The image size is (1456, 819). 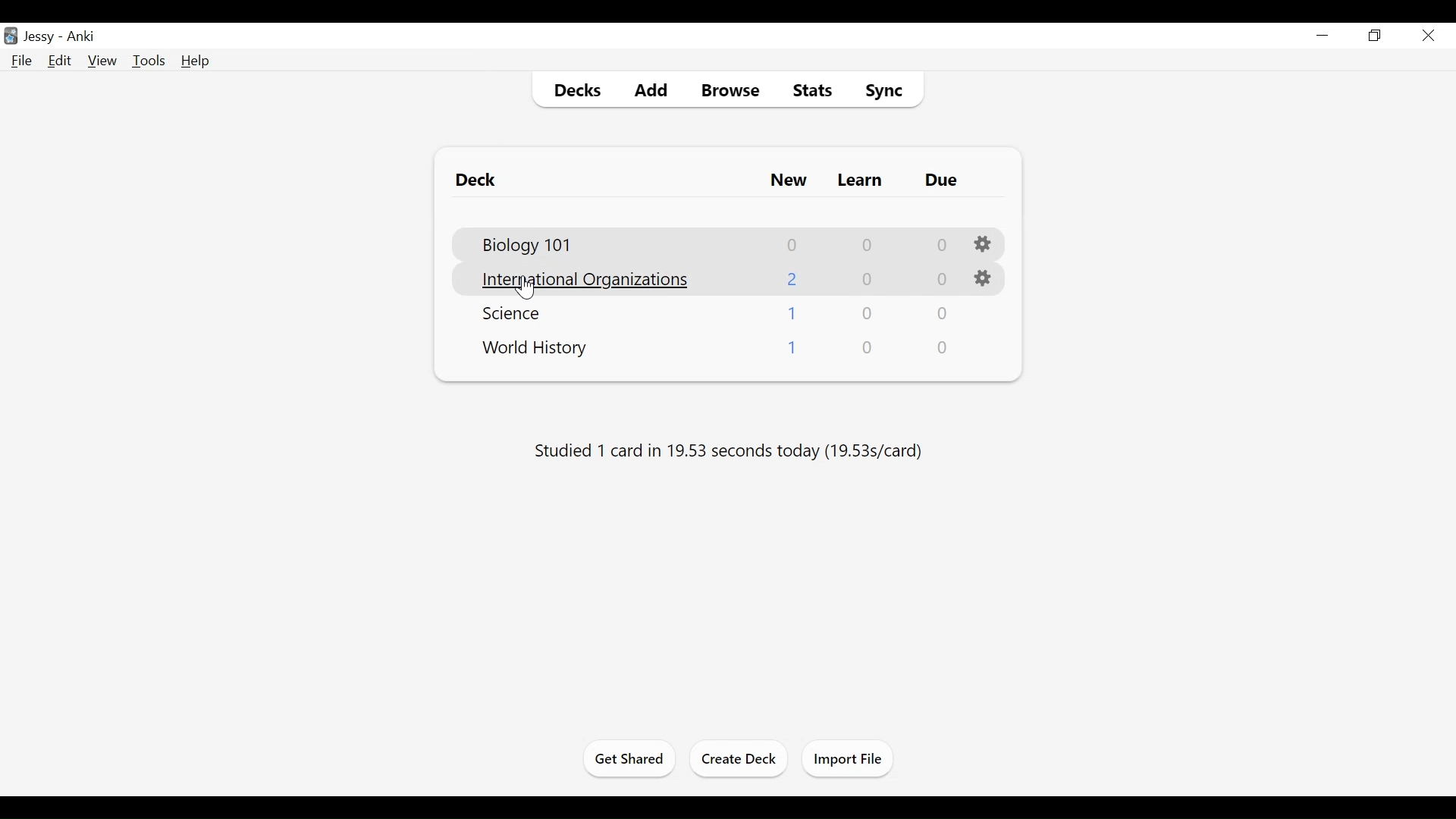 What do you see at coordinates (811, 93) in the screenshot?
I see `Stats` at bounding box center [811, 93].